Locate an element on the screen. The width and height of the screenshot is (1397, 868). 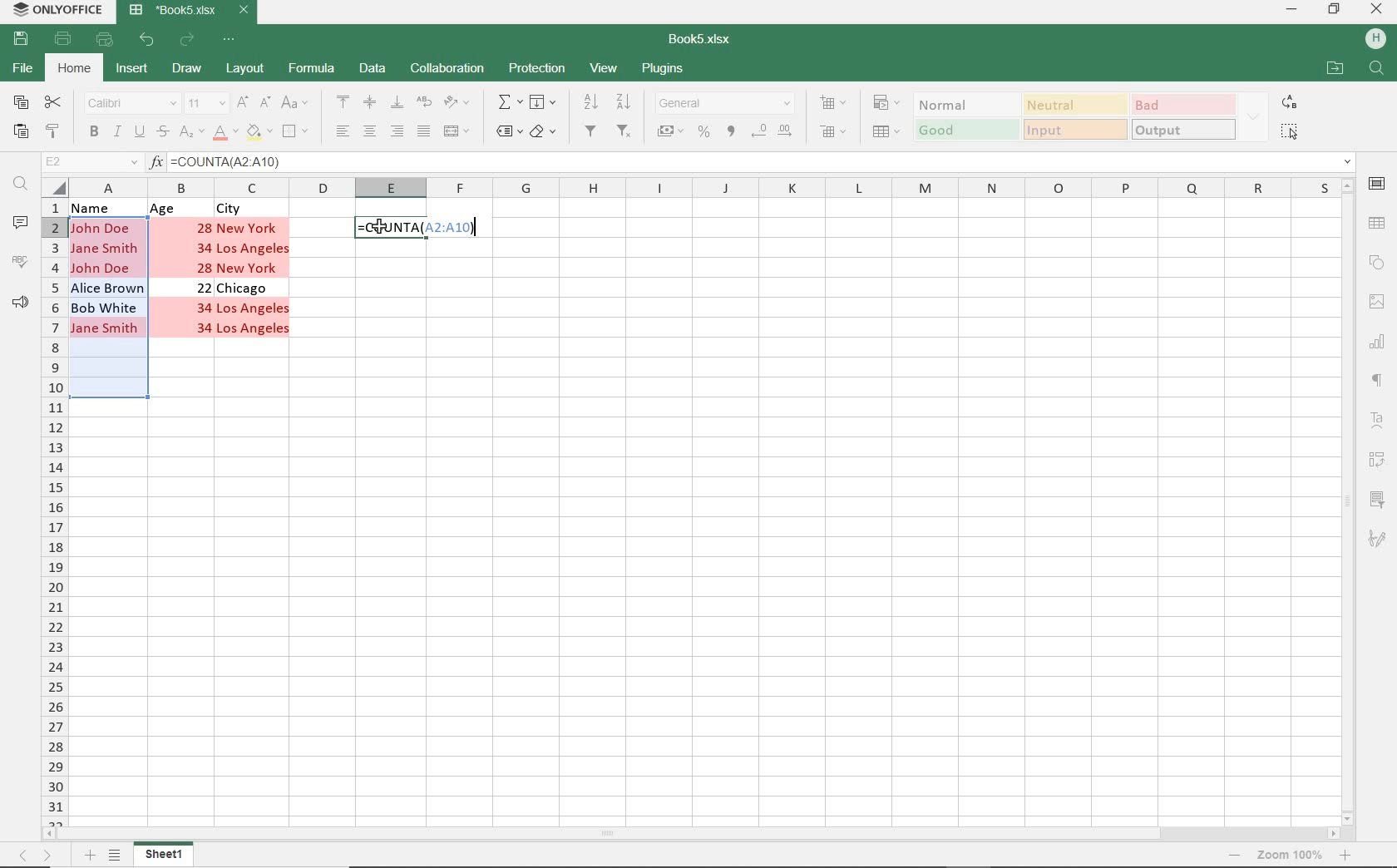
PROTECTION is located at coordinates (536, 70).